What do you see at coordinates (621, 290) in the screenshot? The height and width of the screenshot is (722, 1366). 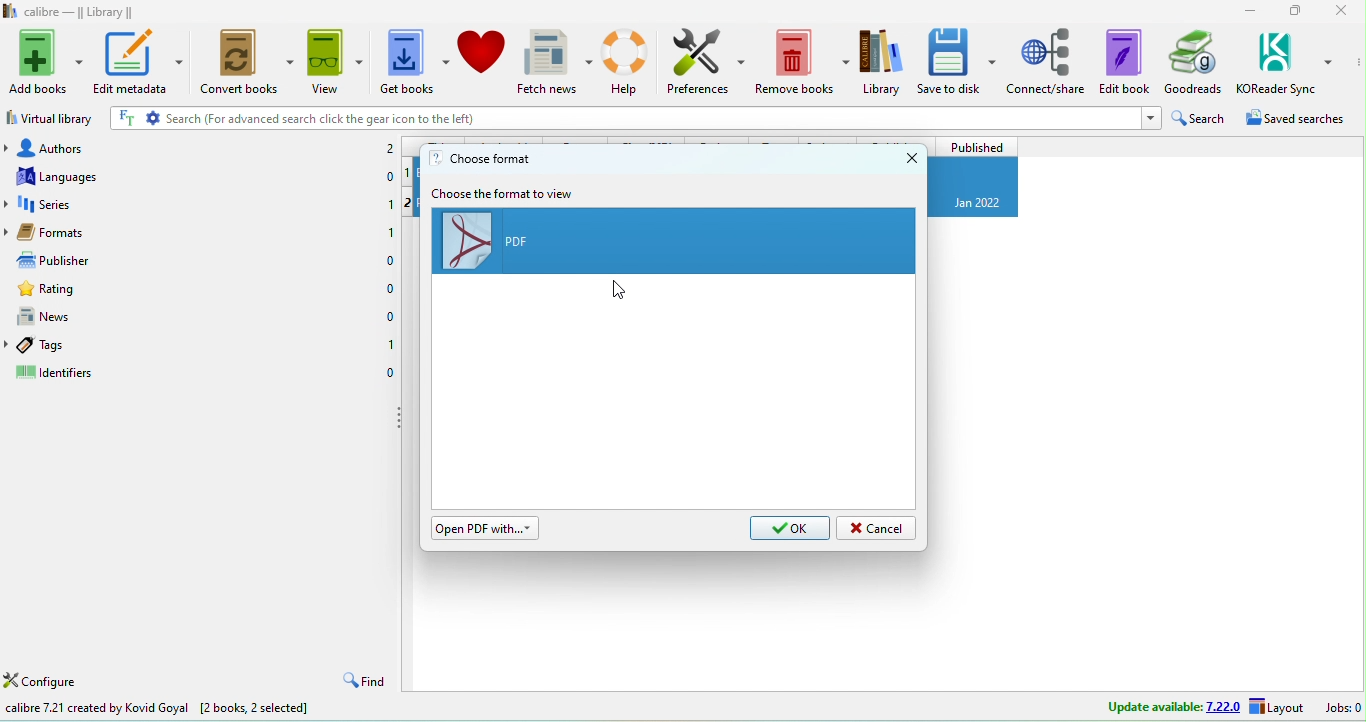 I see `cursor` at bounding box center [621, 290].